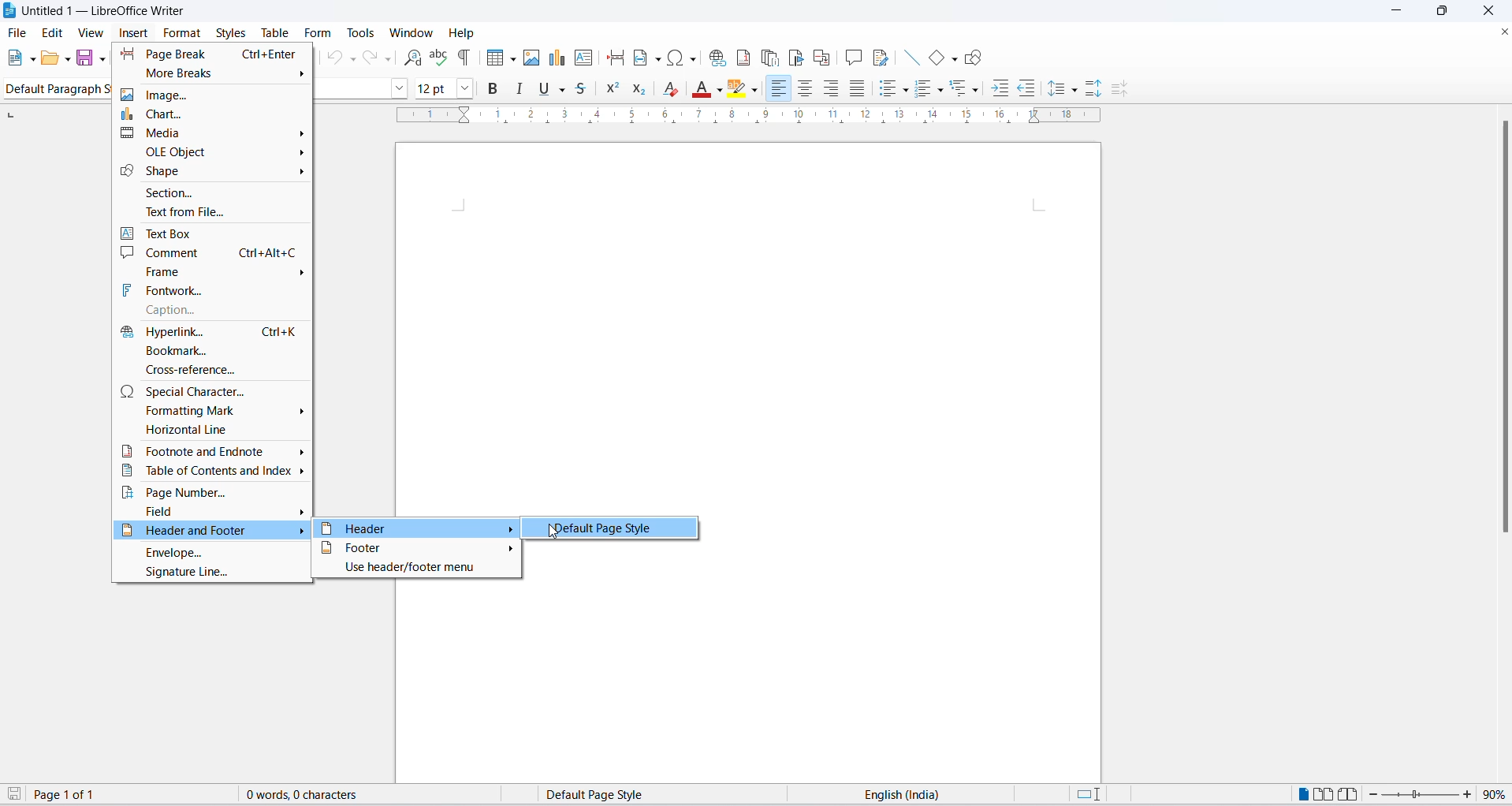  Describe the element at coordinates (852, 55) in the screenshot. I see `insert comments` at that location.